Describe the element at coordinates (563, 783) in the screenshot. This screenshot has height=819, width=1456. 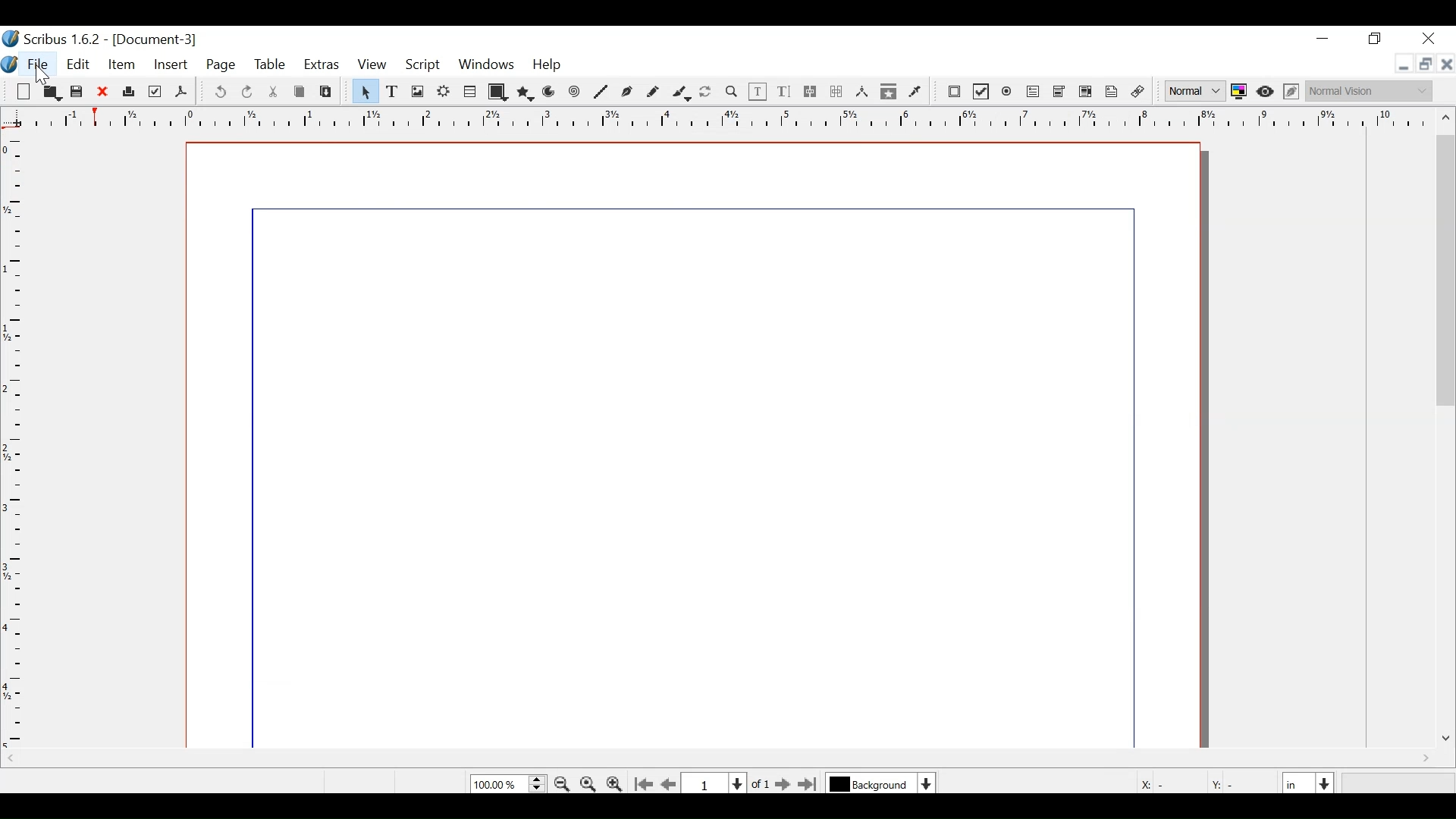
I see `Zoom out` at that location.